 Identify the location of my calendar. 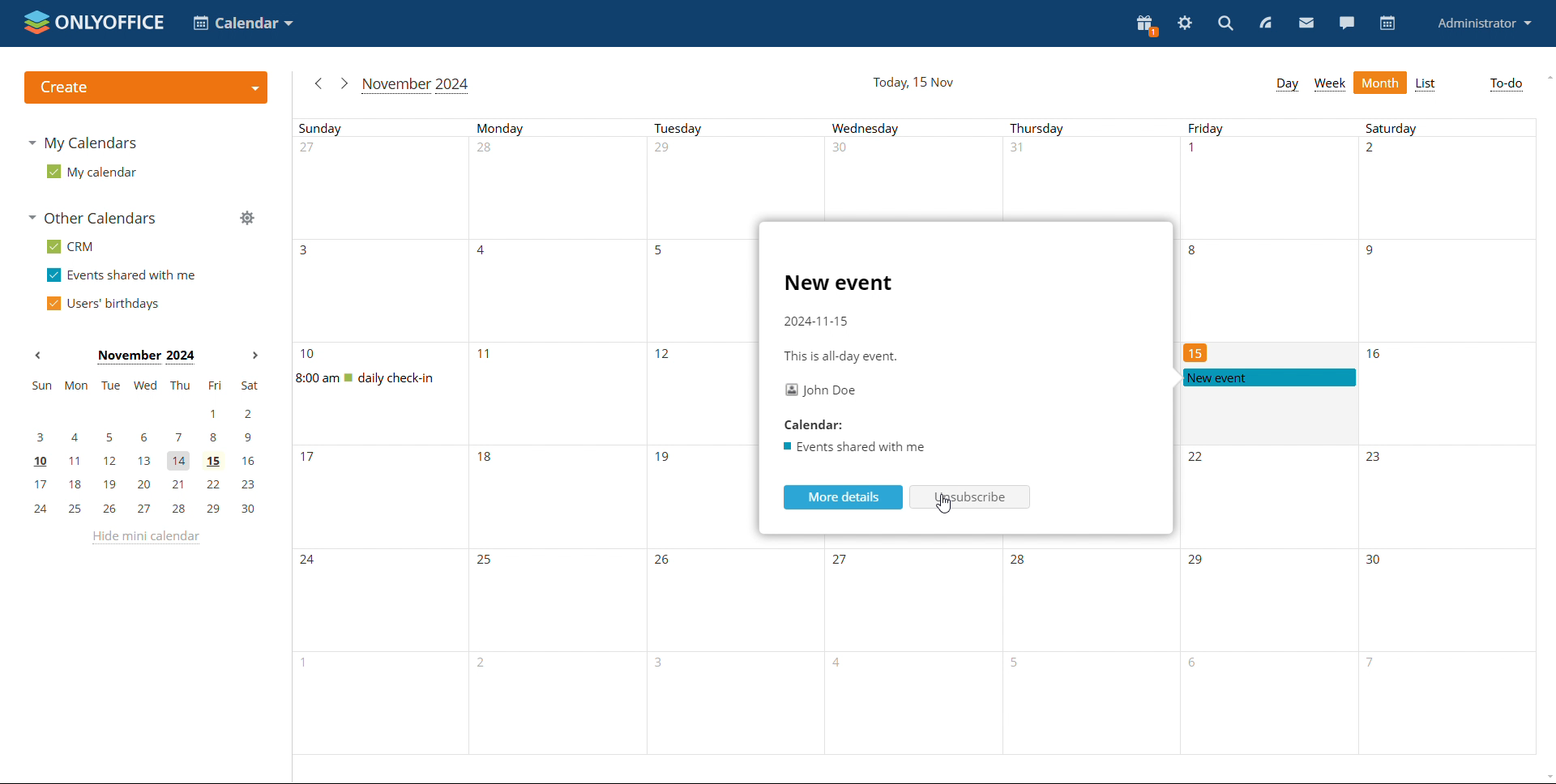
(92, 172).